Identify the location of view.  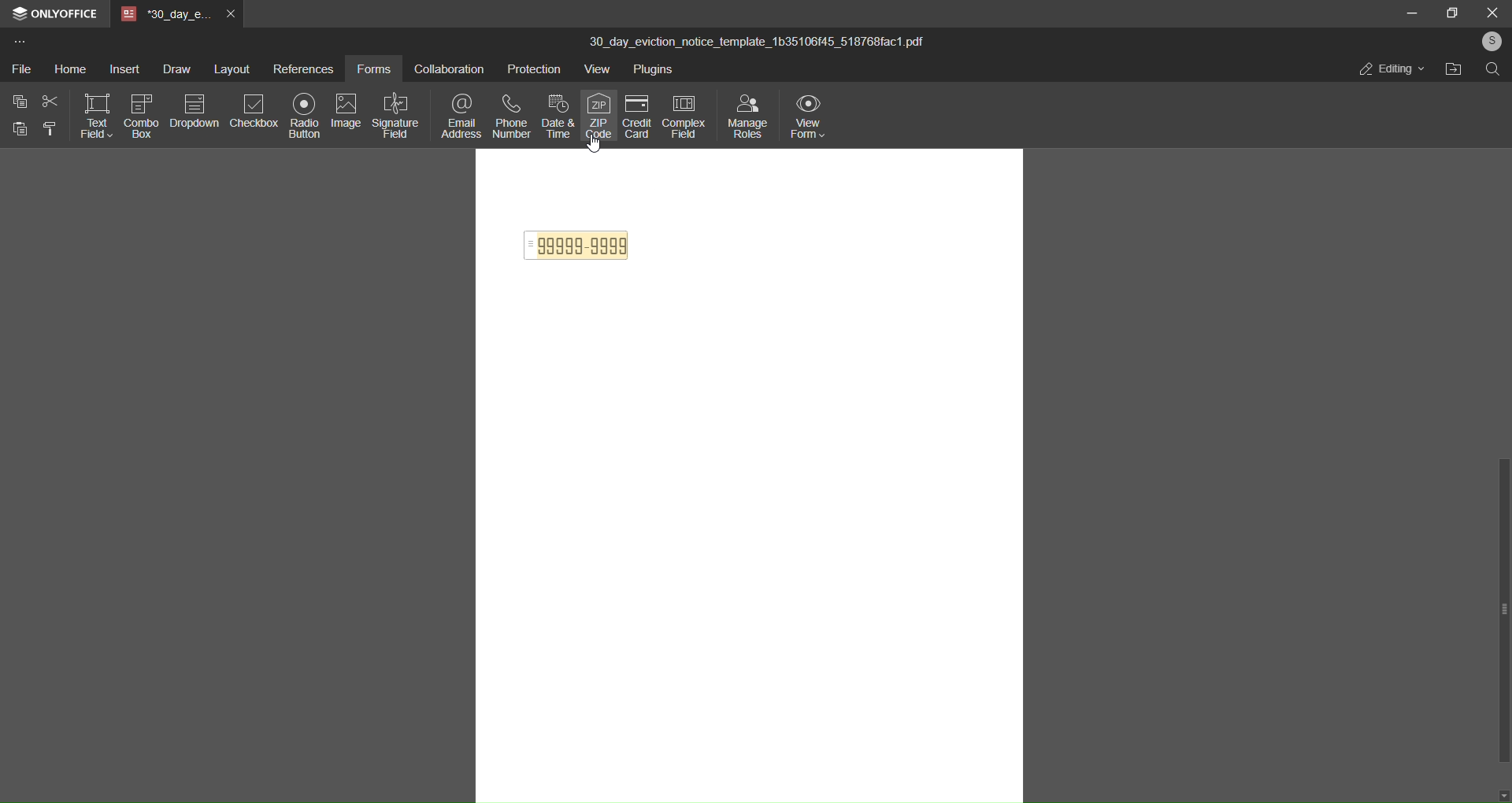
(598, 70).